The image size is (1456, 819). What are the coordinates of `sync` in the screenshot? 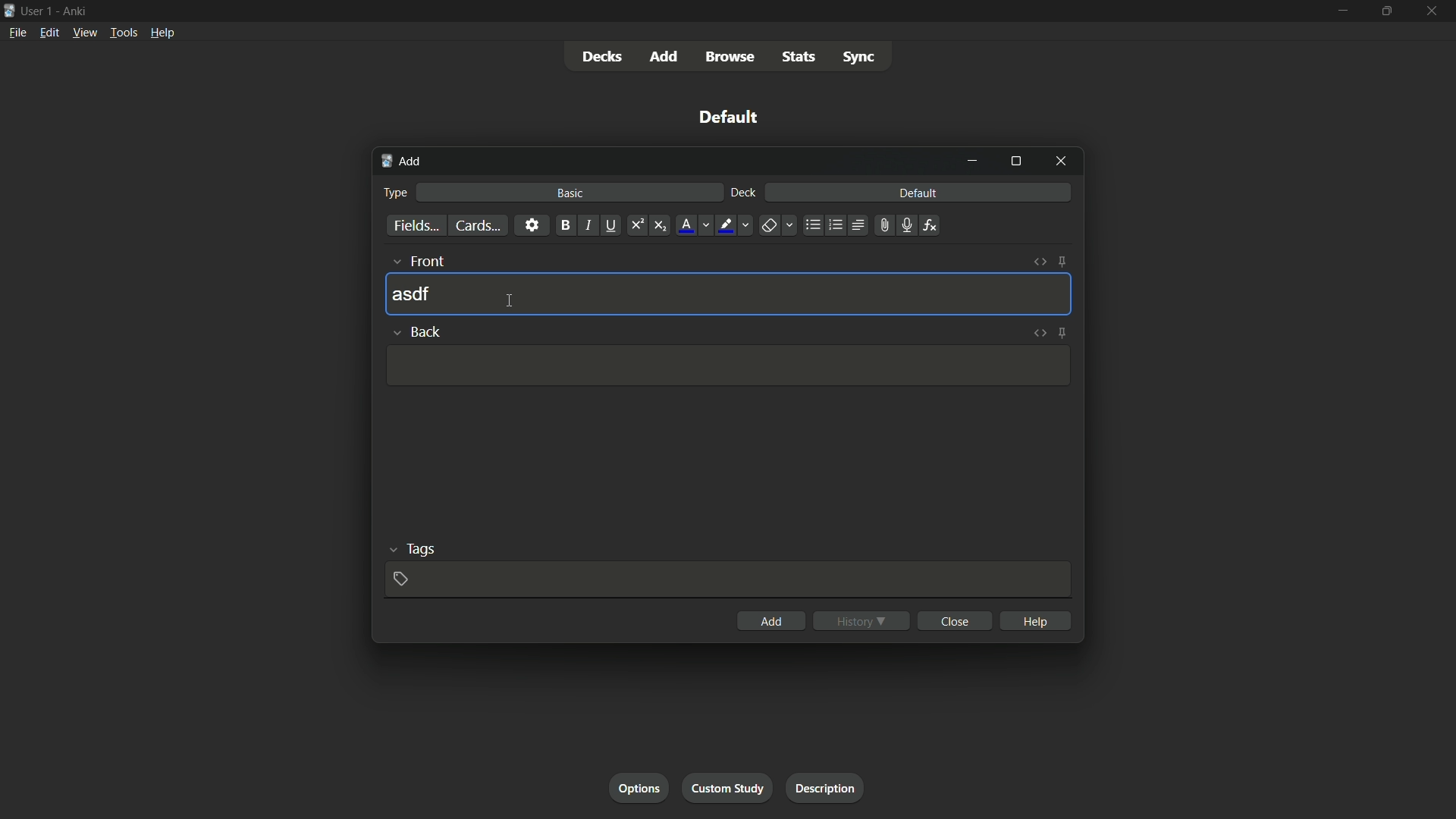 It's located at (859, 57).